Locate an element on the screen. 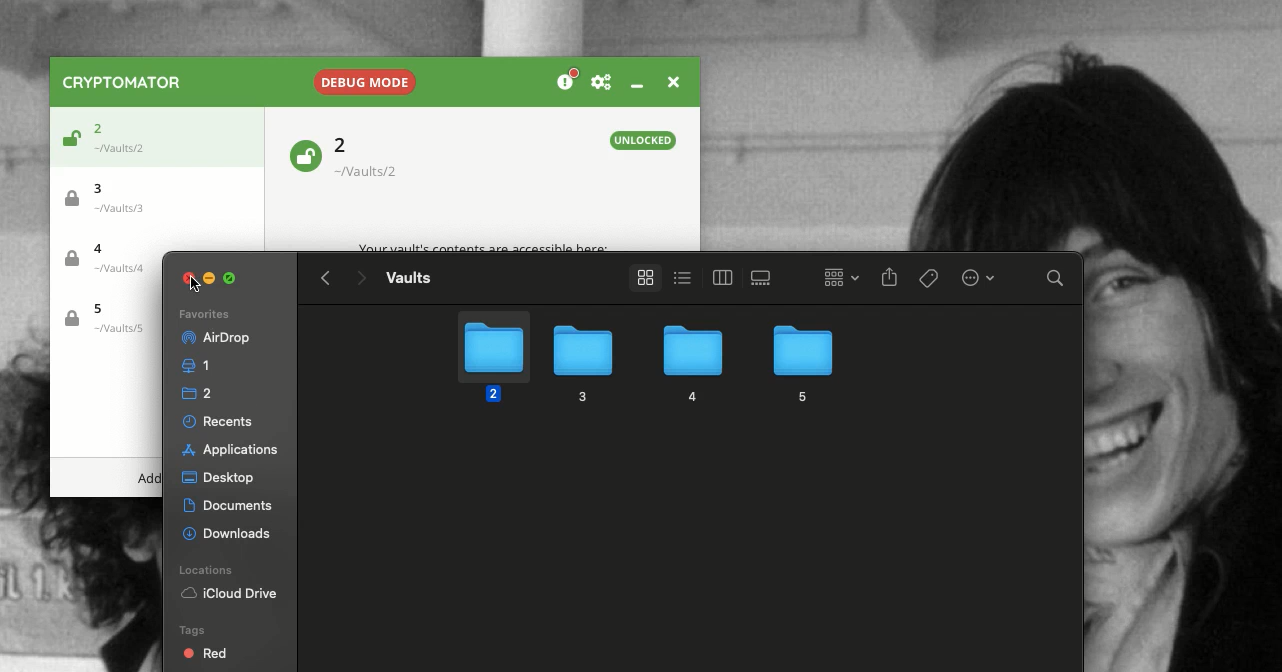  Grid view is located at coordinates (836, 276).